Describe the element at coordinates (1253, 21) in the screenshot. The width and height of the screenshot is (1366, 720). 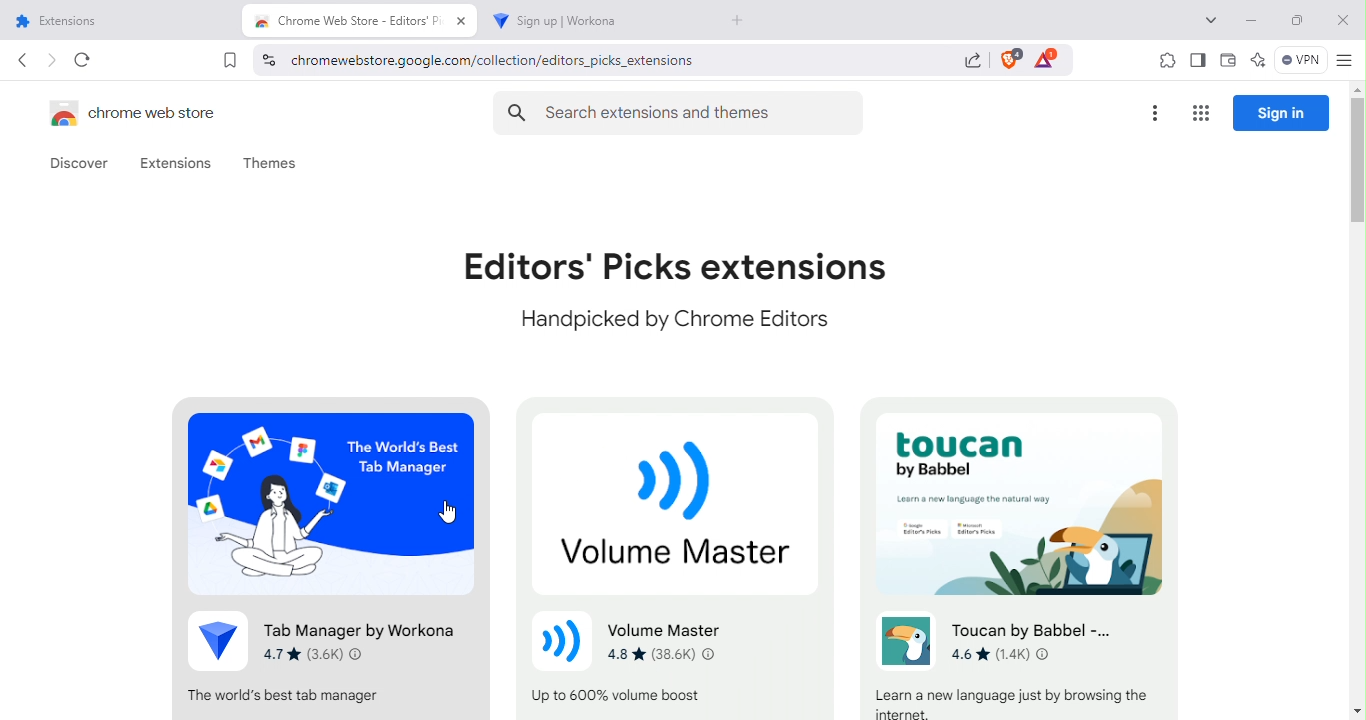
I see `Minimize` at that location.